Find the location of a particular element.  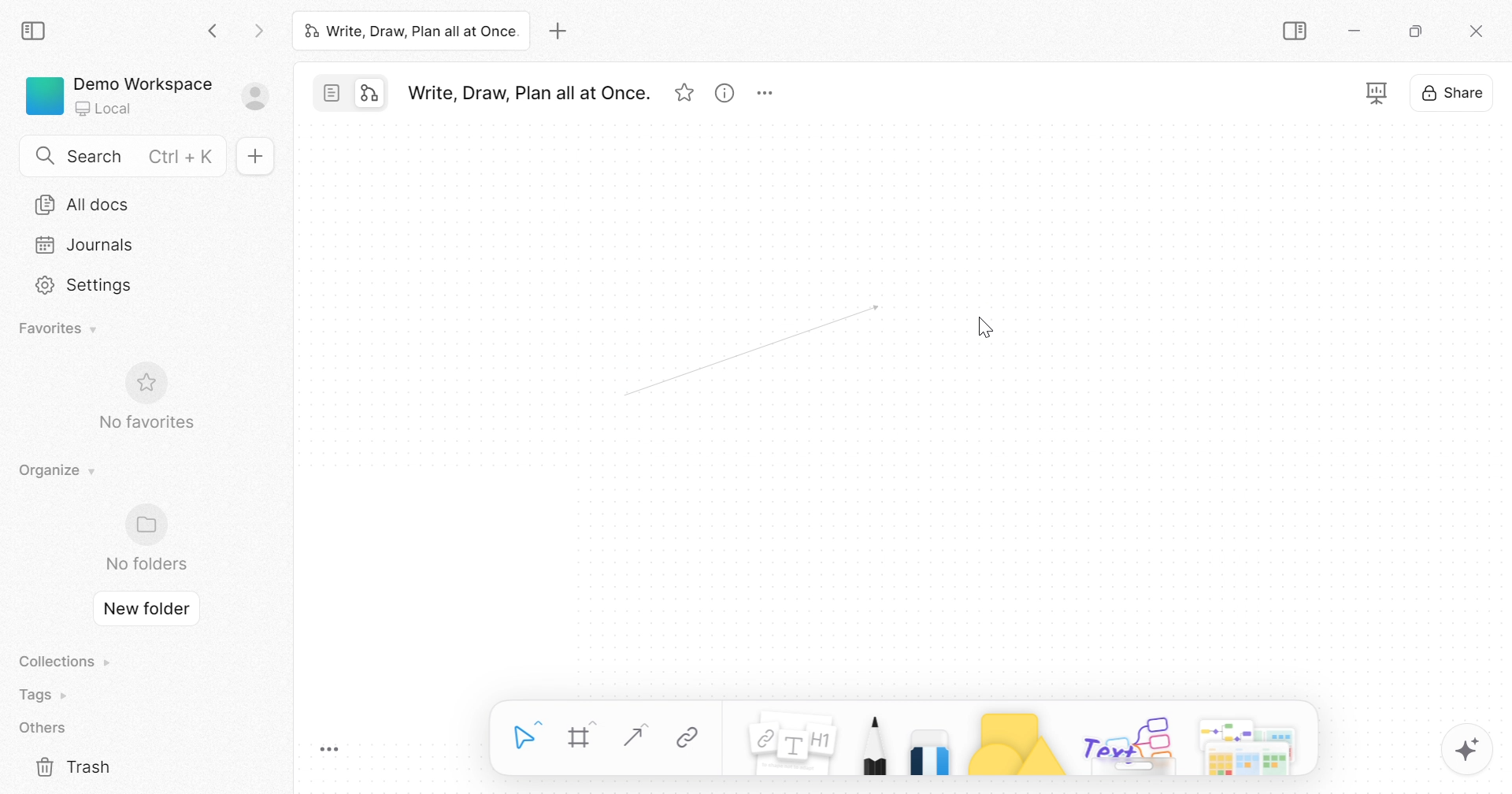

Sign in is located at coordinates (264, 98).